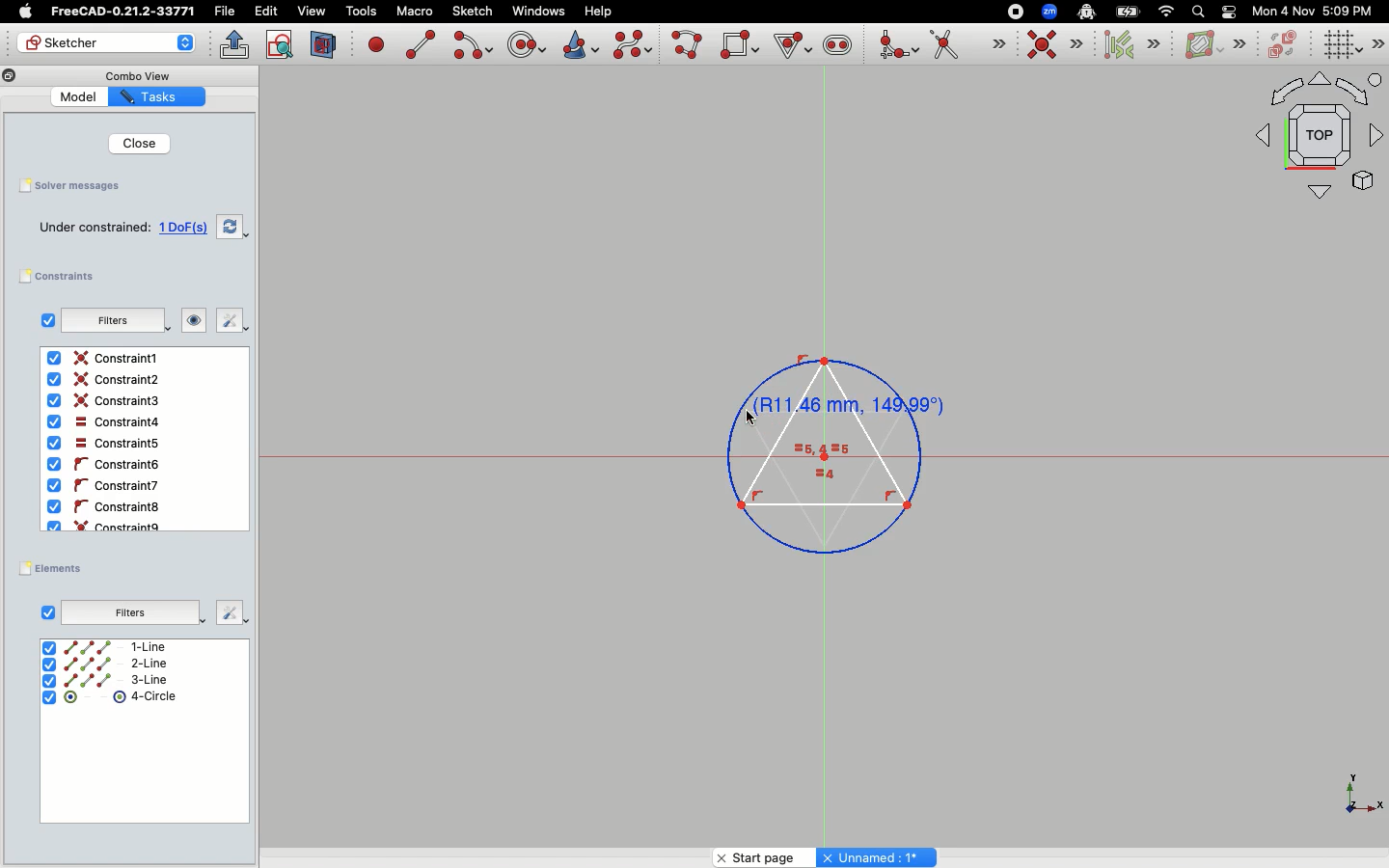  Describe the element at coordinates (101, 422) in the screenshot. I see `Constraint4` at that location.